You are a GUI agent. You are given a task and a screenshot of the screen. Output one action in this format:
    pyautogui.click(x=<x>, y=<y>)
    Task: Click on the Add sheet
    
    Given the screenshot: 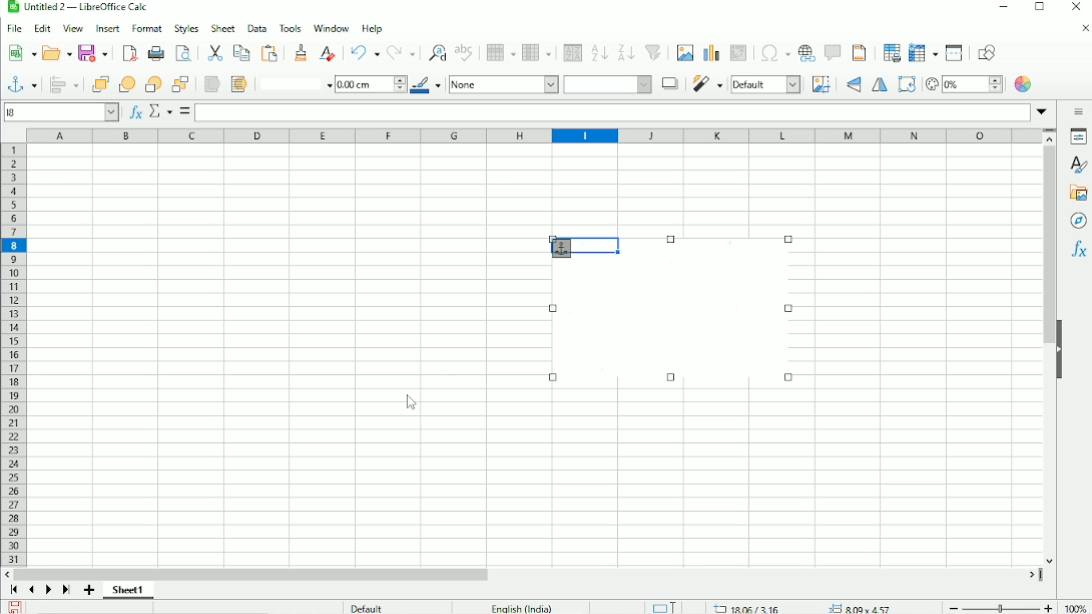 What is the action you would take?
    pyautogui.click(x=89, y=590)
    